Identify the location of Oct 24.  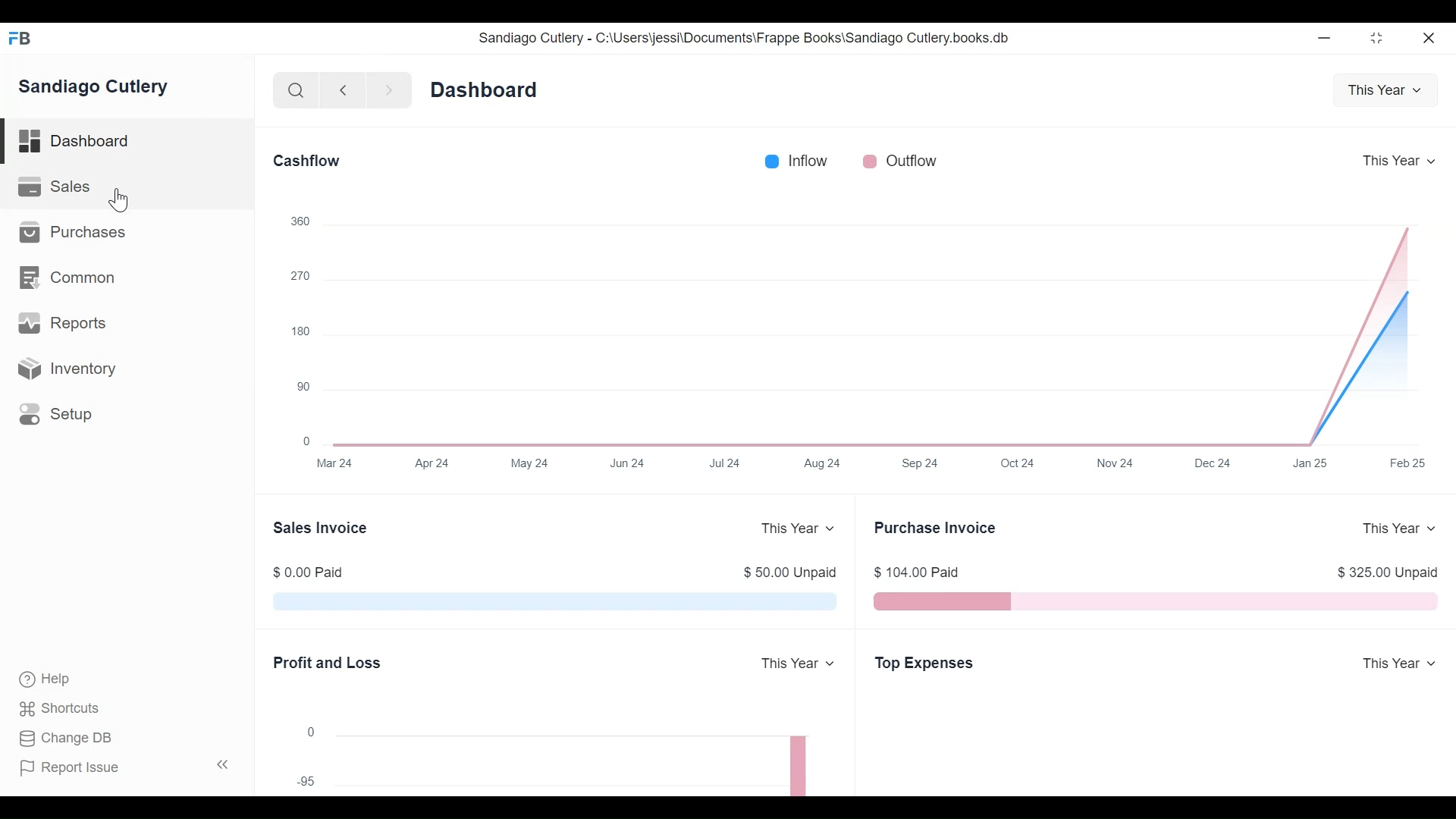
(1021, 463).